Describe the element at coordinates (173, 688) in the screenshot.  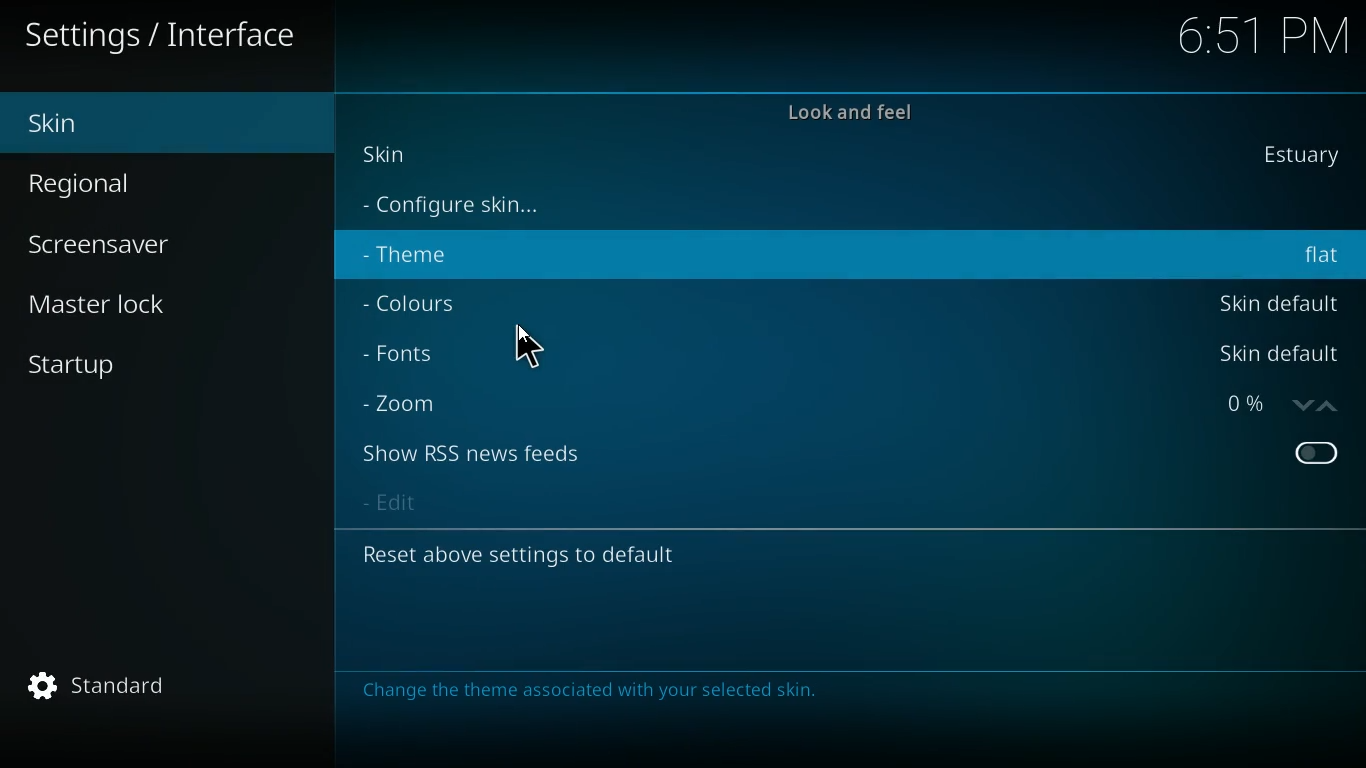
I see `standard` at that location.